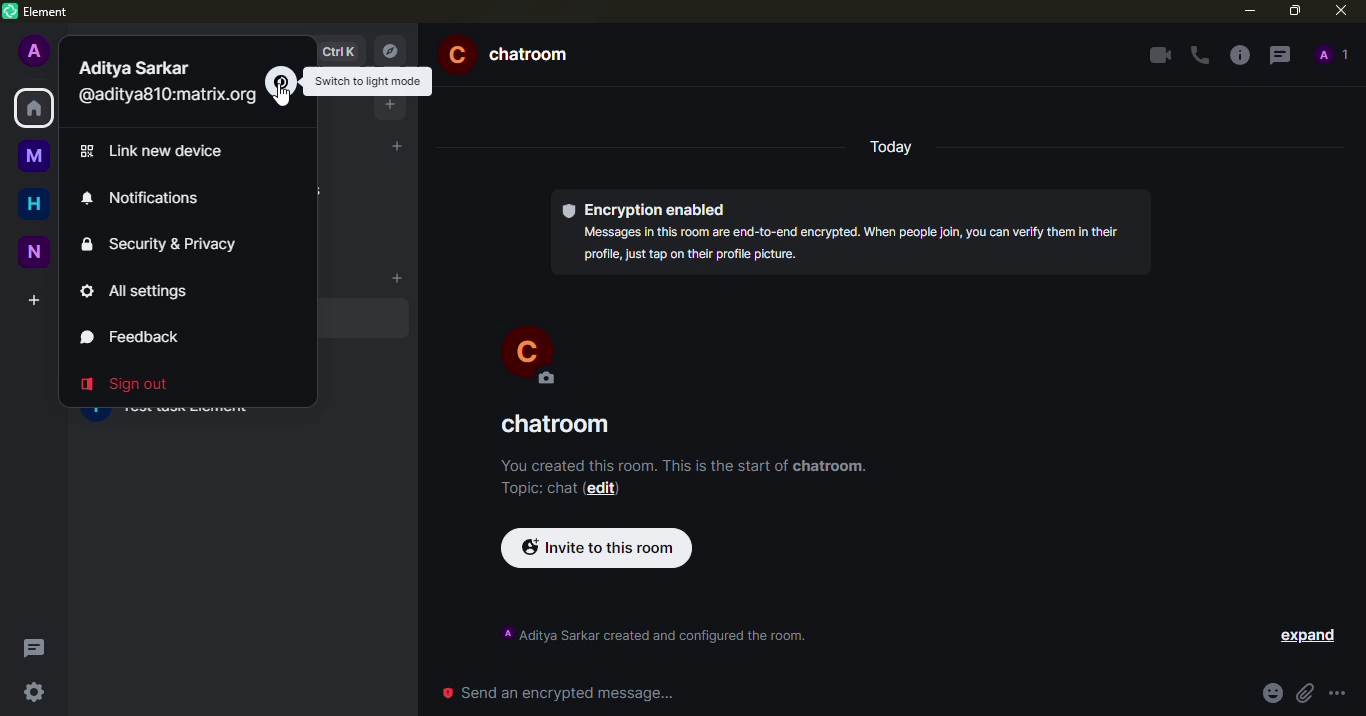  I want to click on edit, so click(601, 489).